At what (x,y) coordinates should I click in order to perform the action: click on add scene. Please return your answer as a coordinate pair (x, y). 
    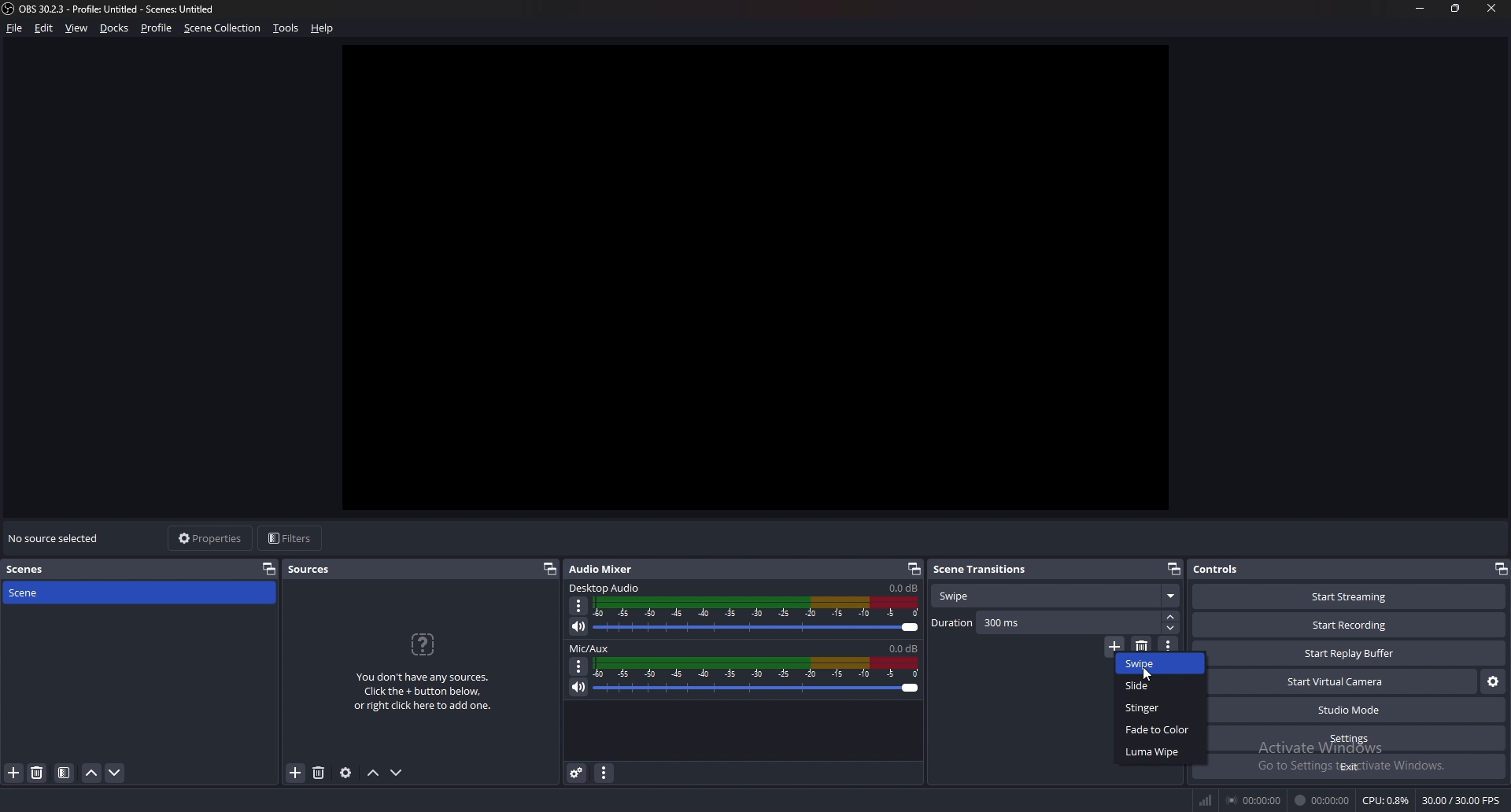
    Looking at the image, I should click on (13, 773).